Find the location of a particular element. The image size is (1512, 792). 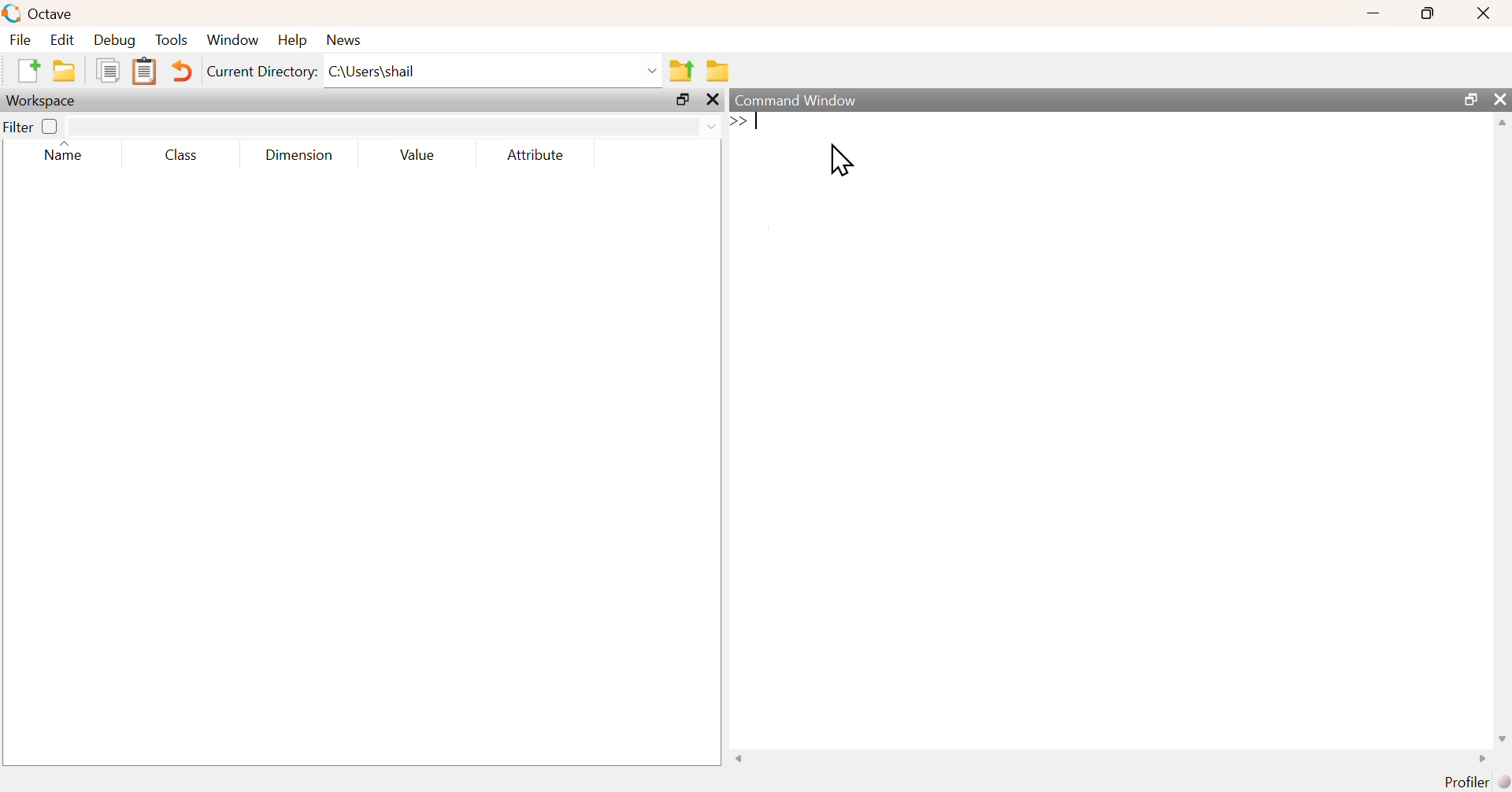

copy is located at coordinates (111, 69).